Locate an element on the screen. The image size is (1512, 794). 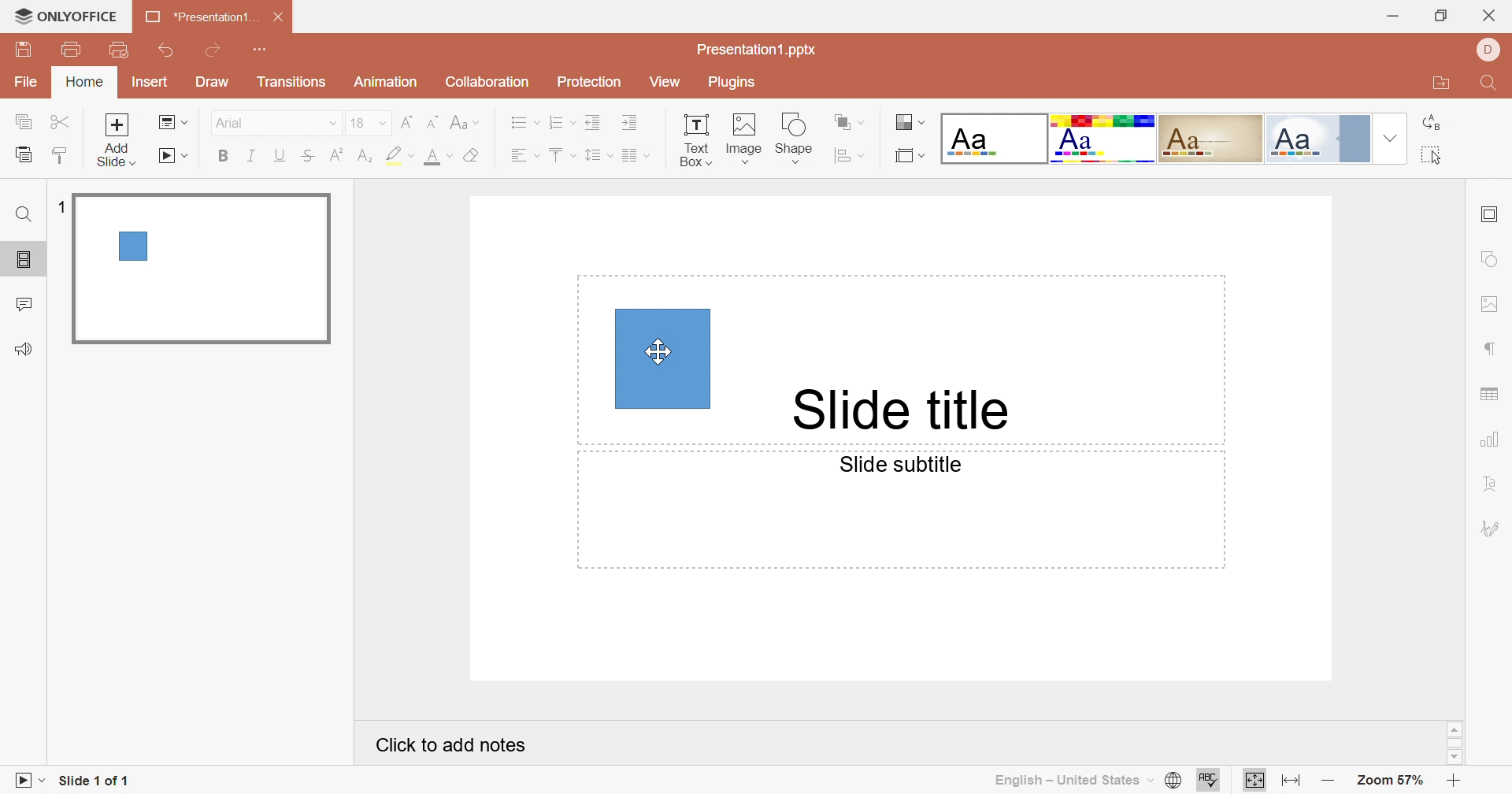
Copy Style is located at coordinates (24, 155).